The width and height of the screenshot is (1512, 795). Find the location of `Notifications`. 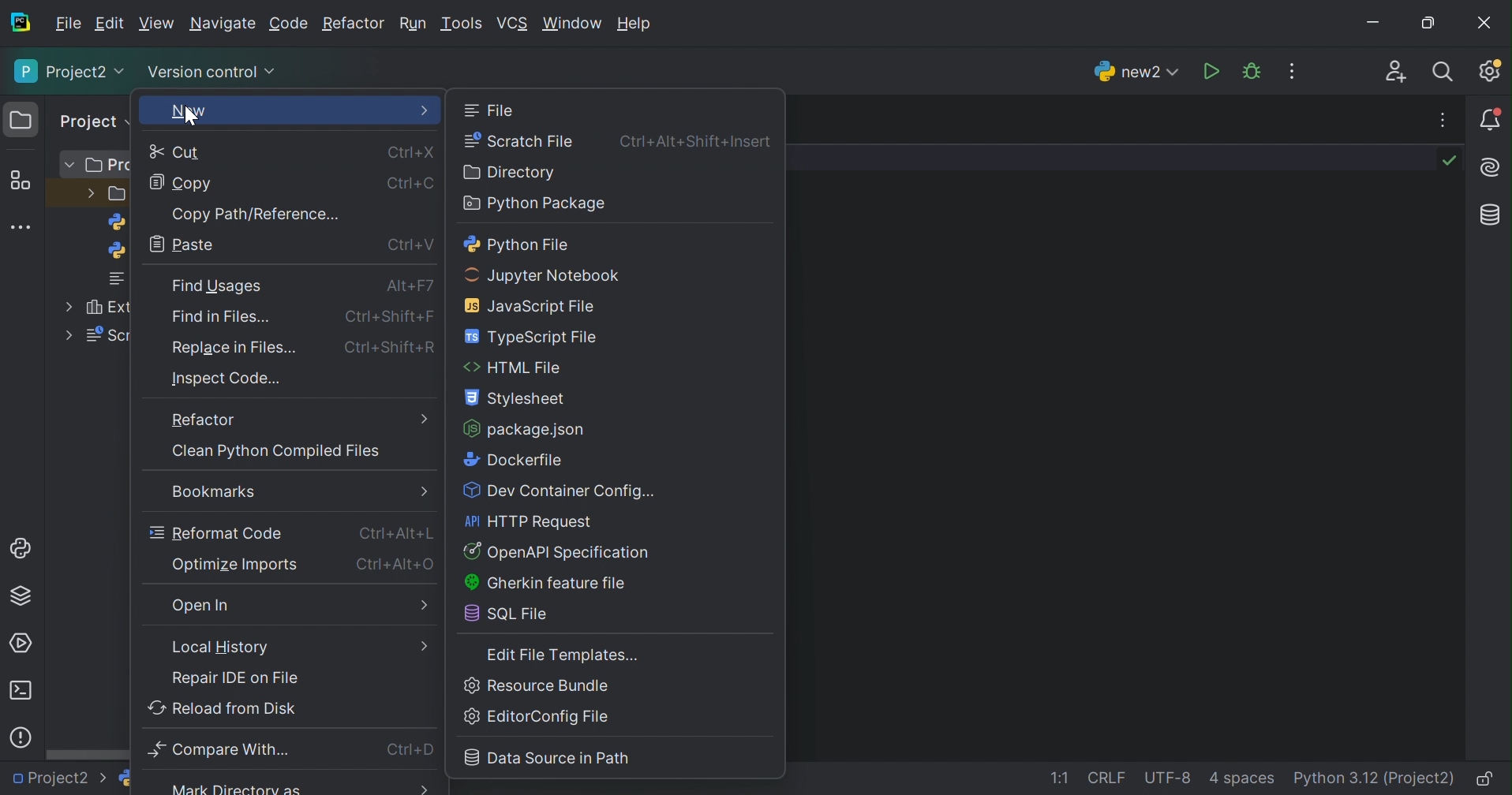

Notifications is located at coordinates (1491, 120).